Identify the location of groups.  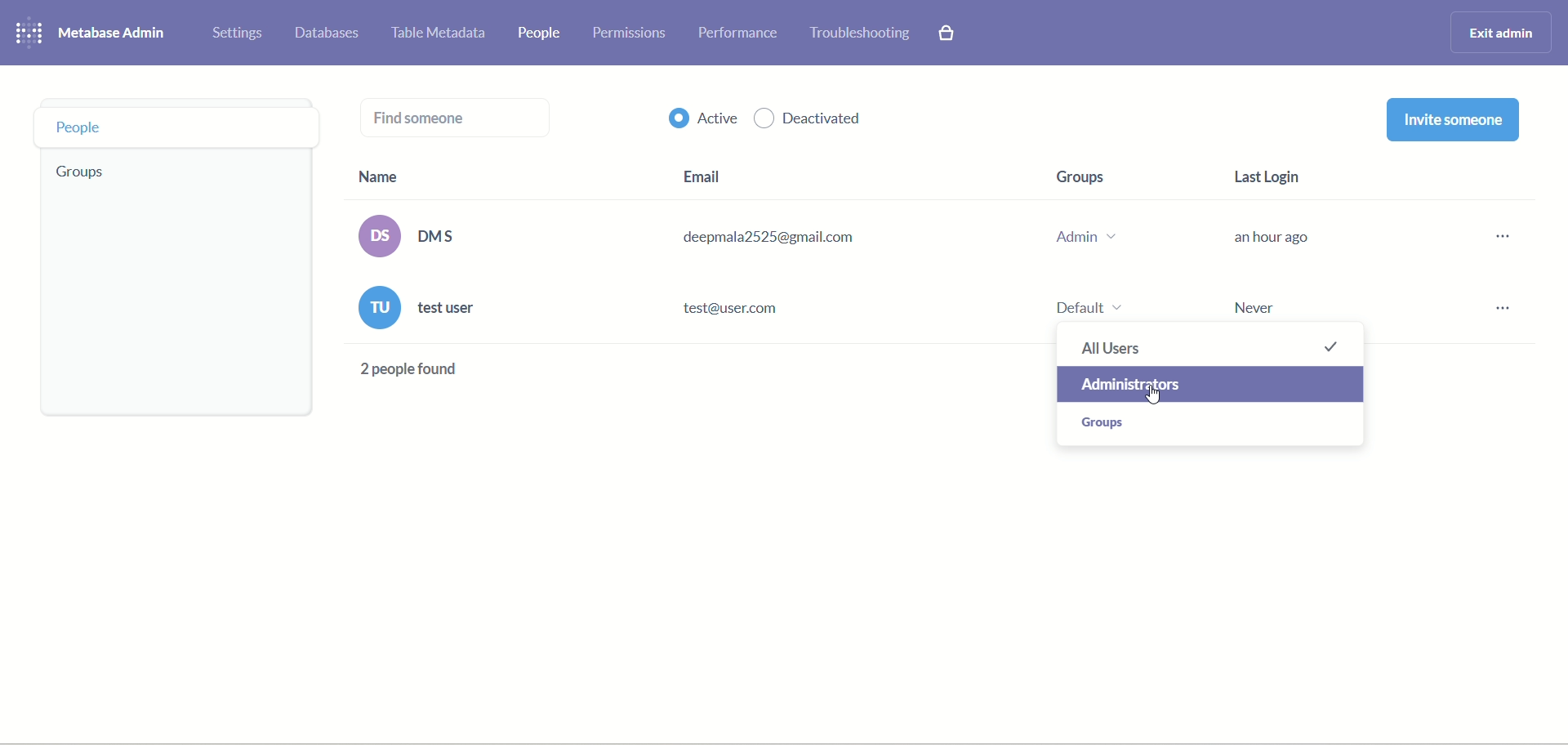
(1106, 422).